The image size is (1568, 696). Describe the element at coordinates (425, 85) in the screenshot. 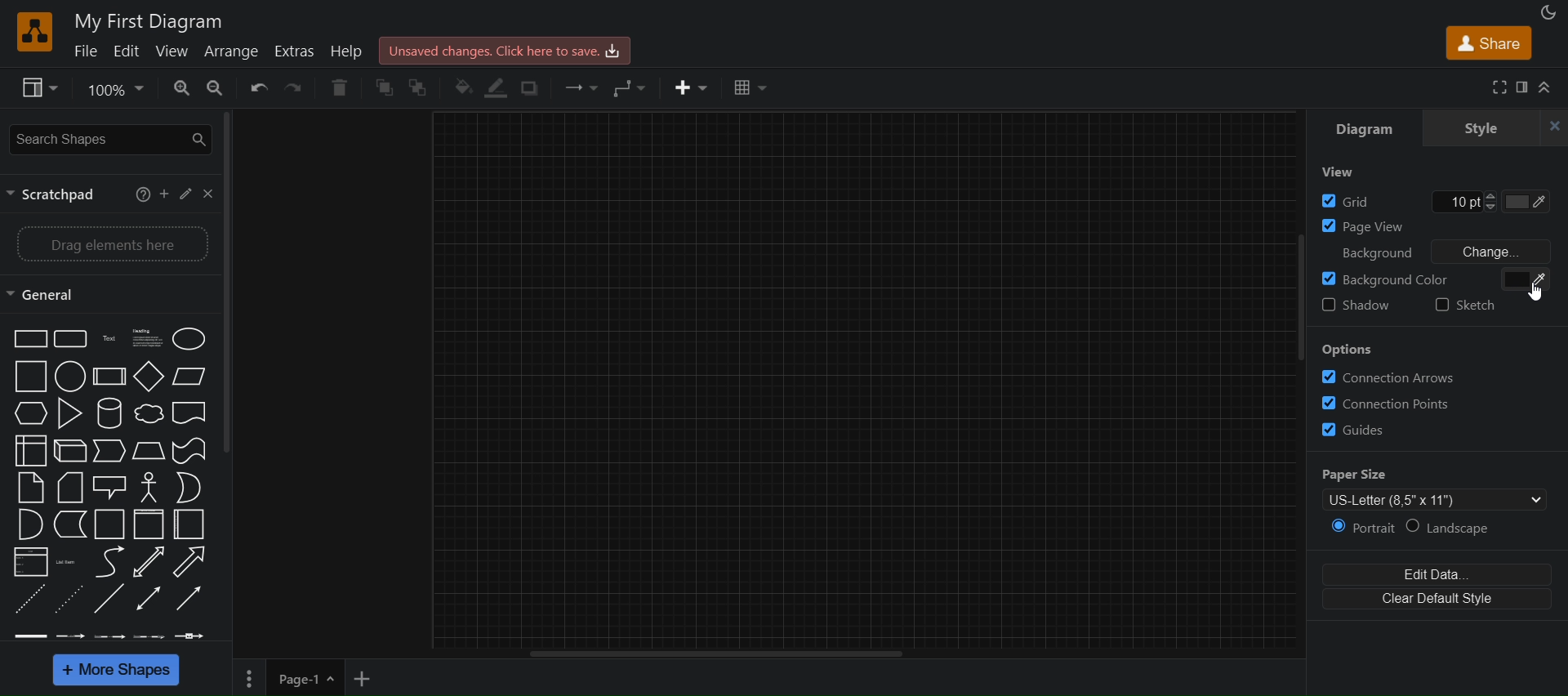

I see `to back` at that location.